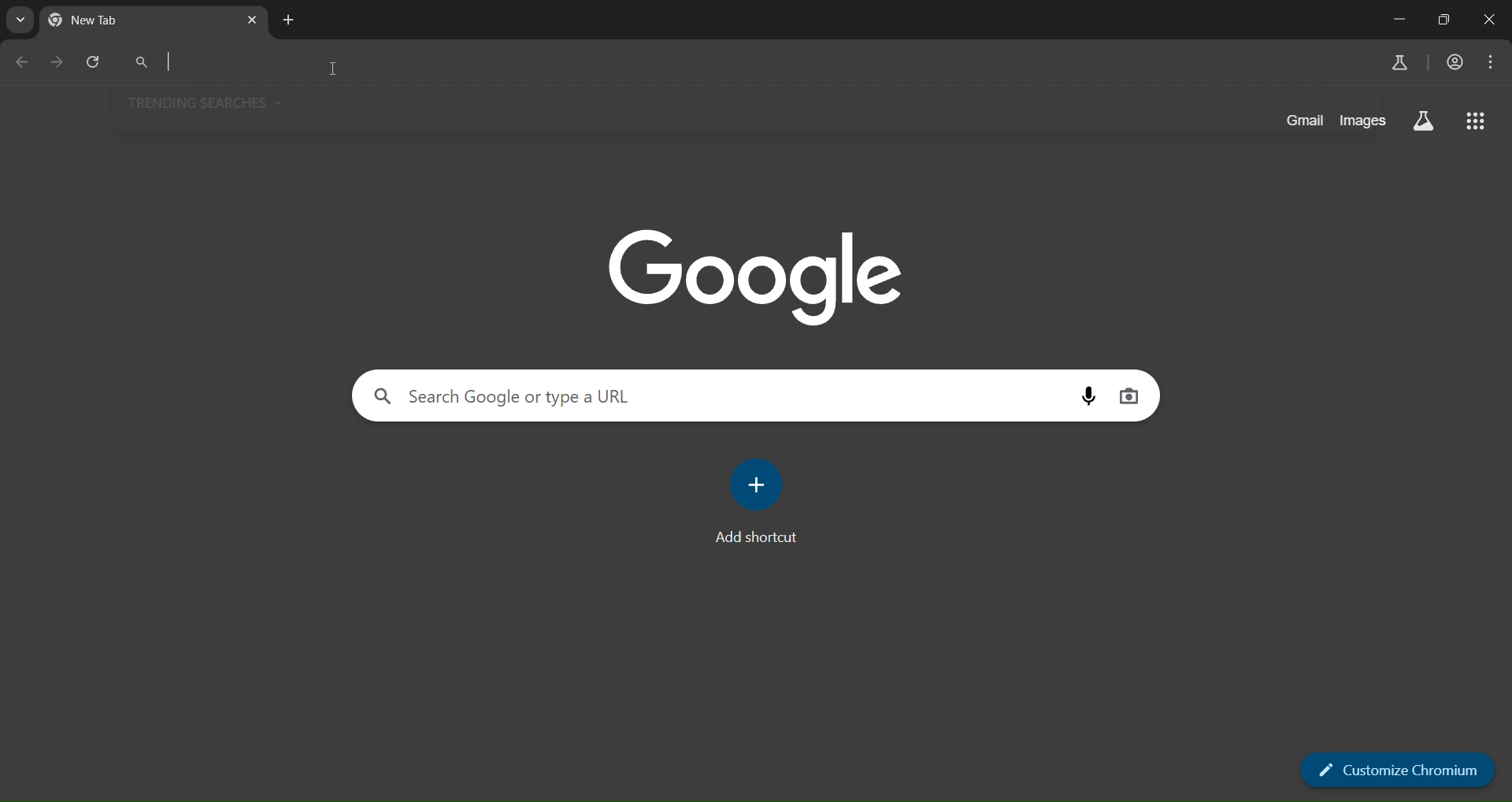 Image resolution: width=1512 pixels, height=802 pixels. What do you see at coordinates (250, 20) in the screenshot?
I see `close tab` at bounding box center [250, 20].